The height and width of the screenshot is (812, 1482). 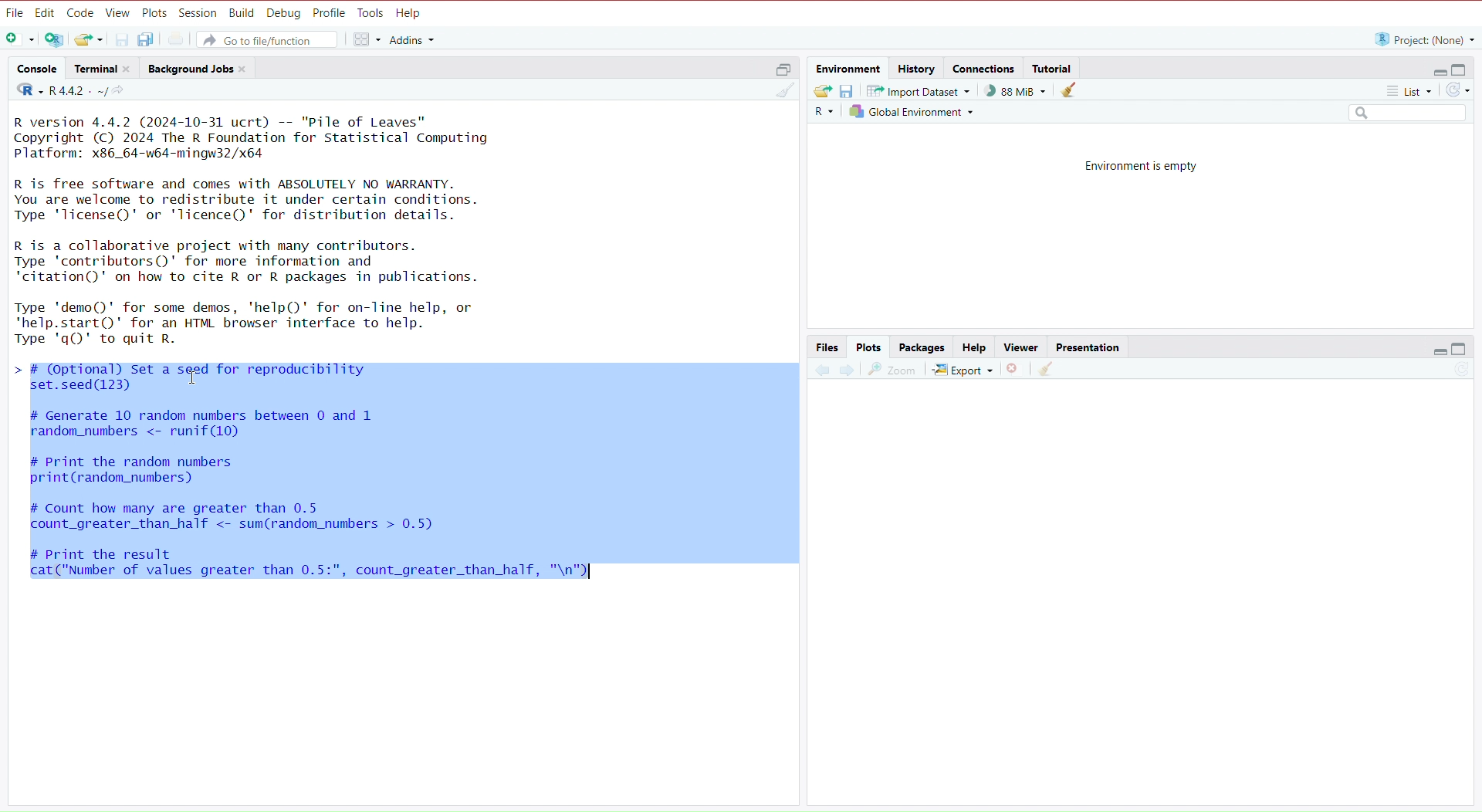 What do you see at coordinates (1460, 369) in the screenshot?
I see `Refresh list` at bounding box center [1460, 369].